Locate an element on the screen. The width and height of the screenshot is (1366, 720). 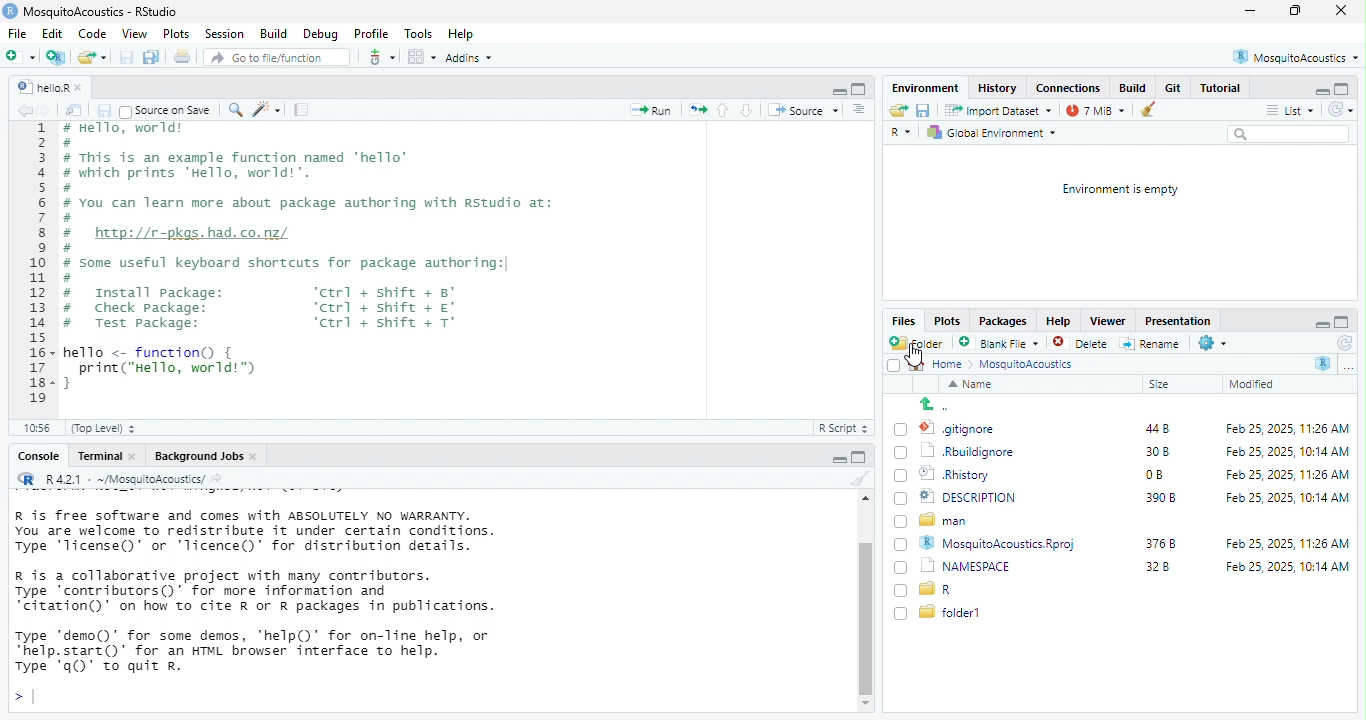
checkbox is located at coordinates (901, 453).